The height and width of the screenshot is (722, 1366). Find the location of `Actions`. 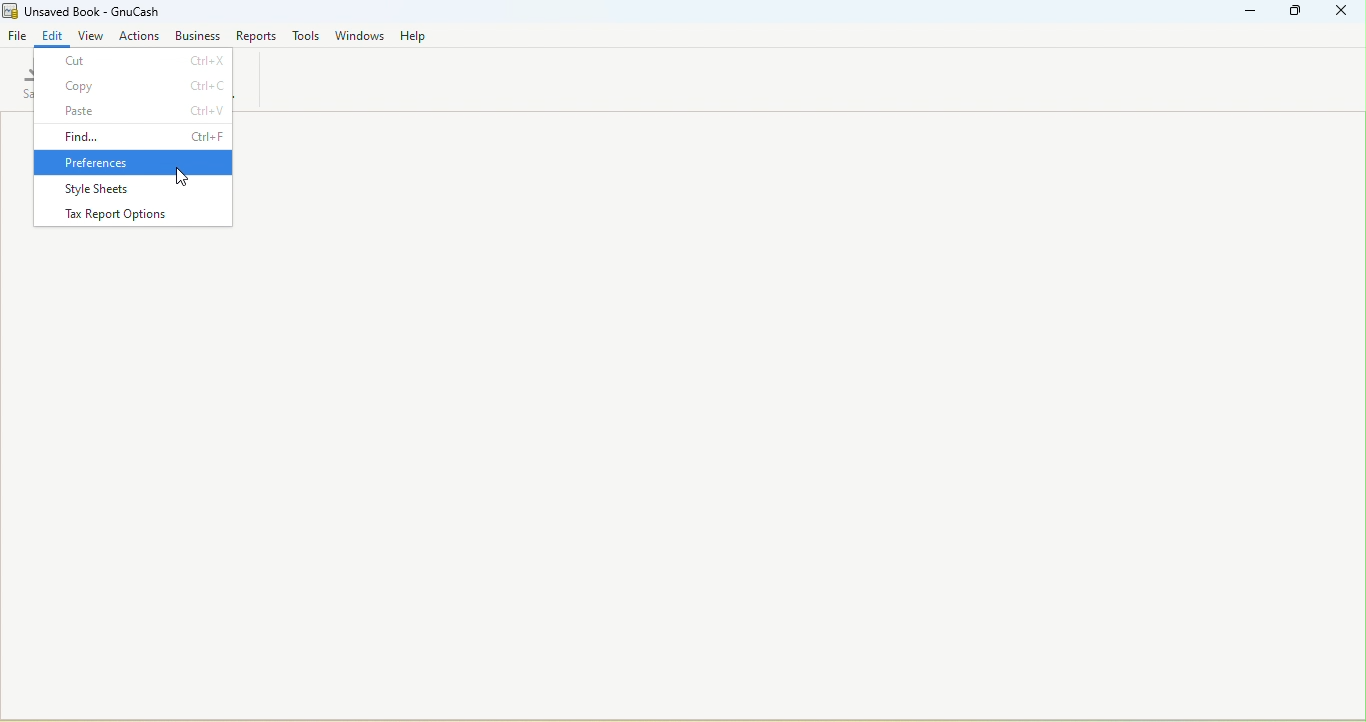

Actions is located at coordinates (141, 33).